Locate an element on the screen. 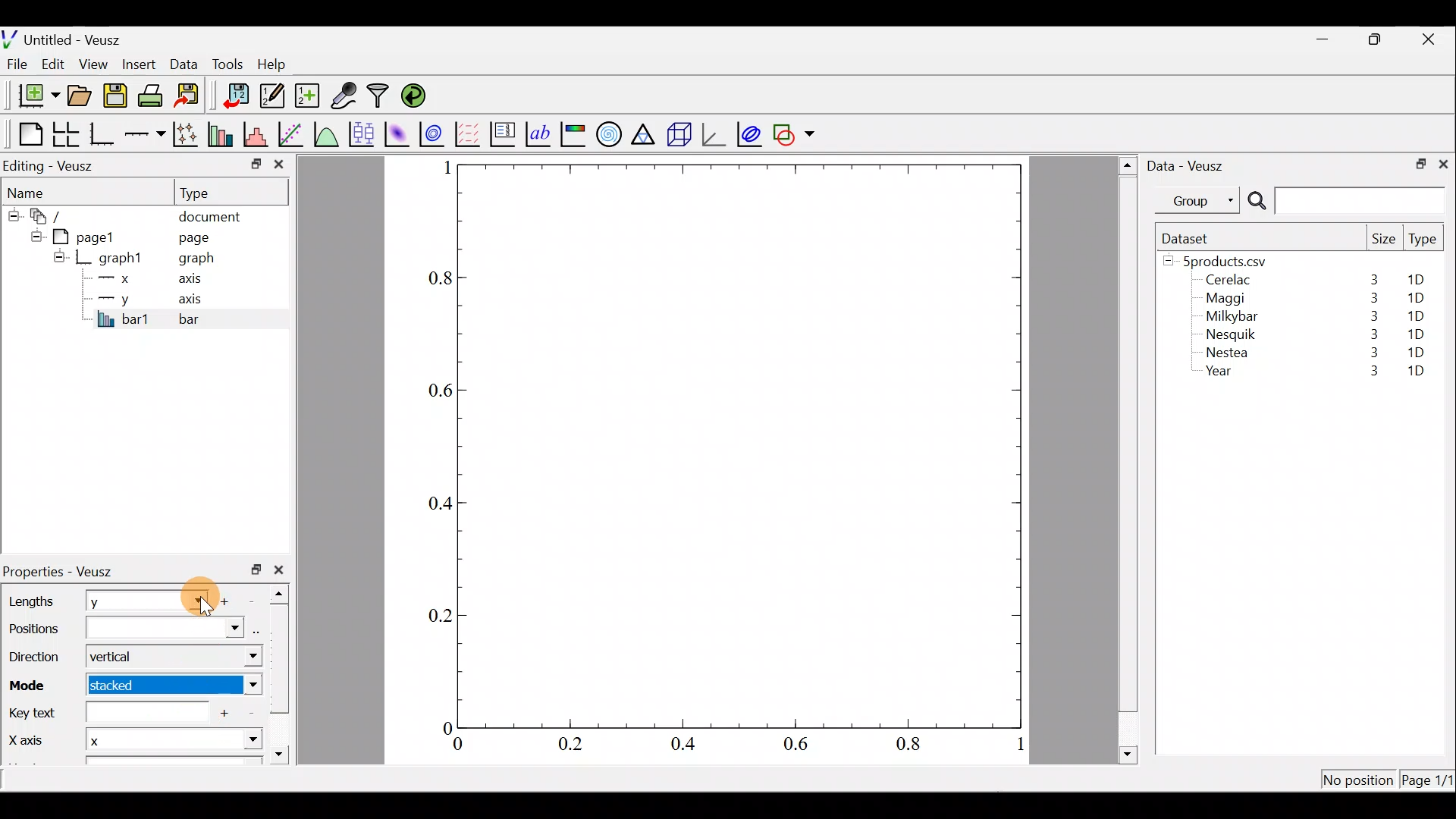 The width and height of the screenshot is (1456, 819). Text label is located at coordinates (540, 132).